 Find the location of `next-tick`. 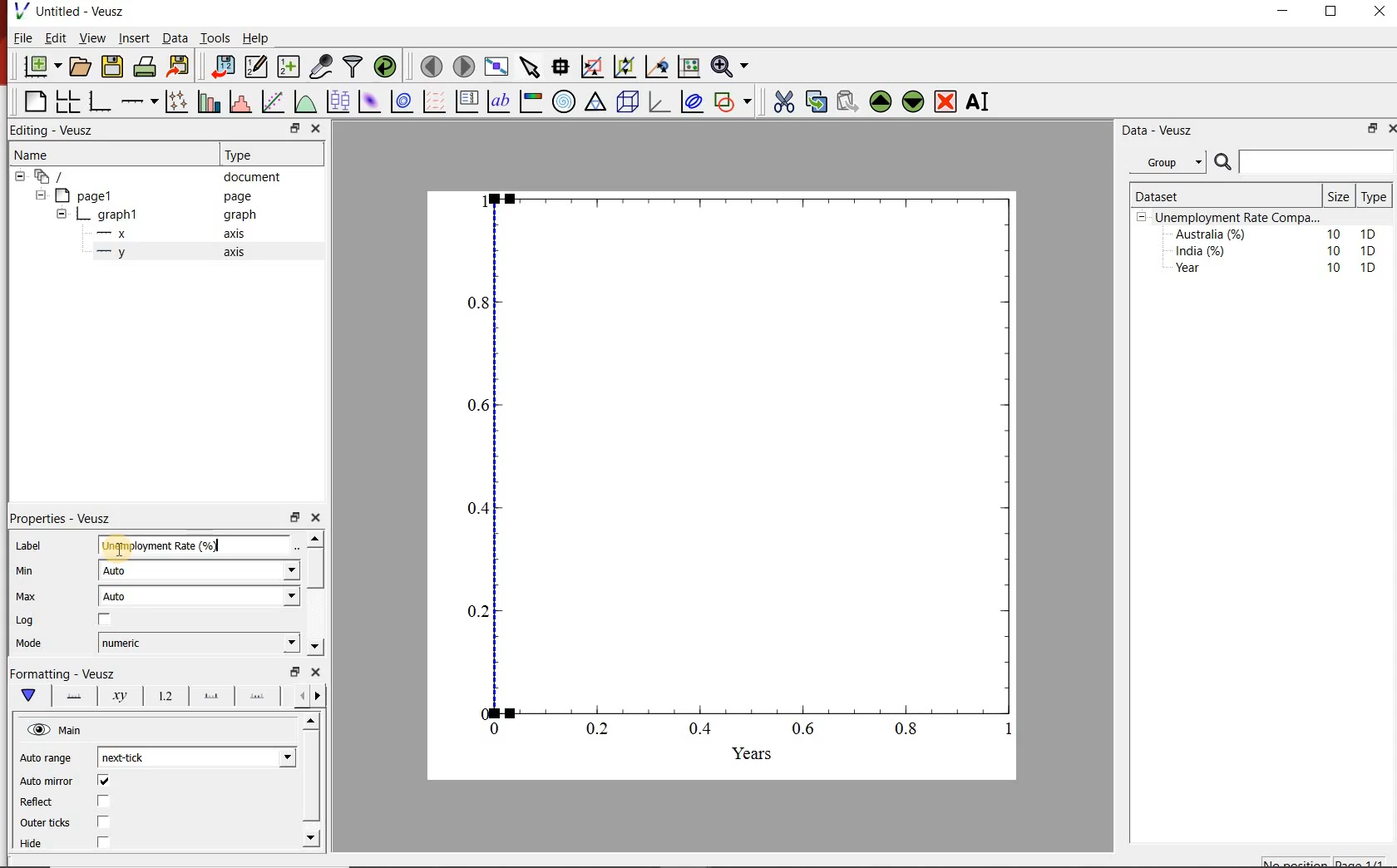

next-tick is located at coordinates (198, 755).